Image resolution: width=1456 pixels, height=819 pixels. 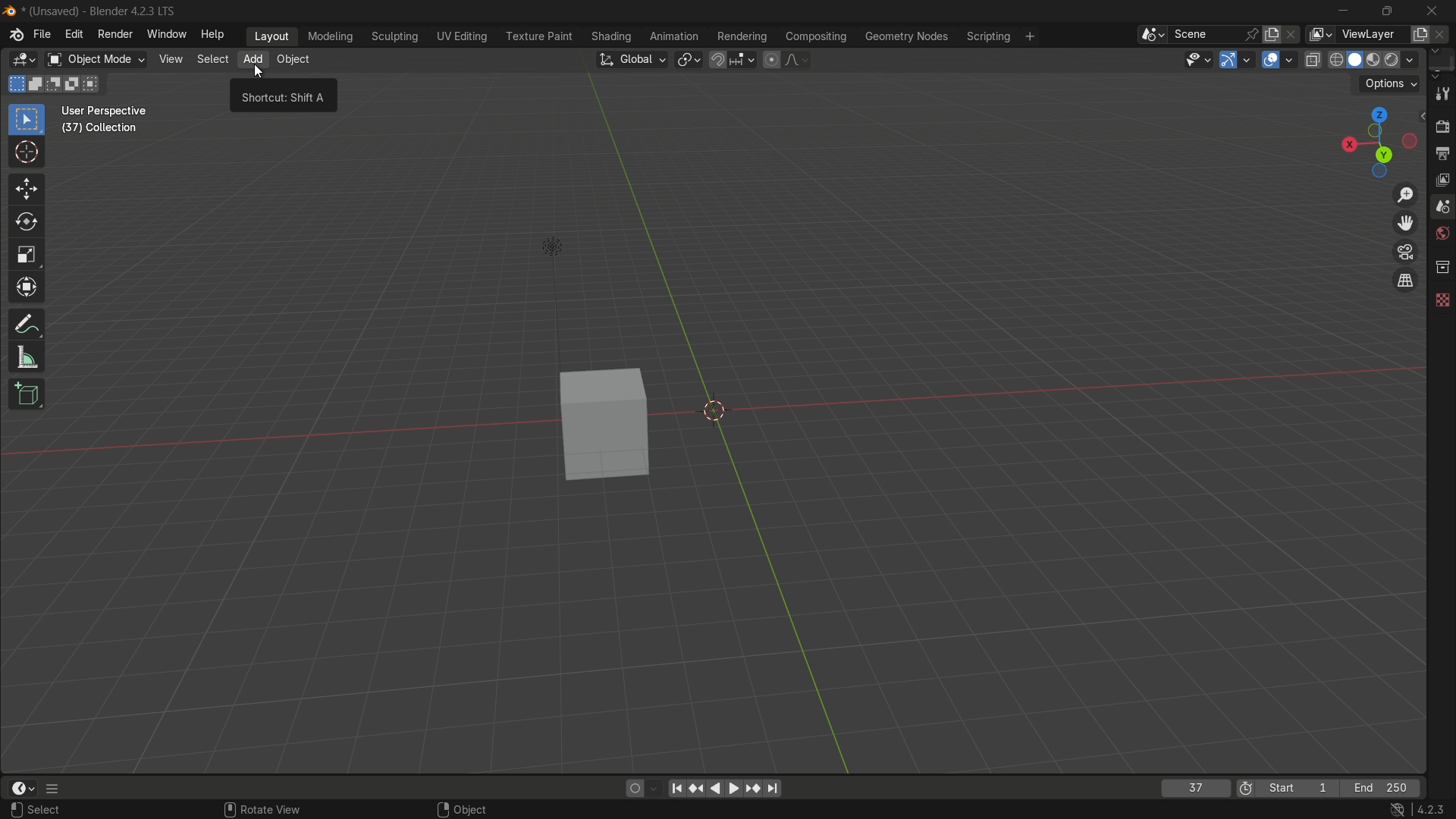 What do you see at coordinates (635, 788) in the screenshot?
I see `auto keying` at bounding box center [635, 788].